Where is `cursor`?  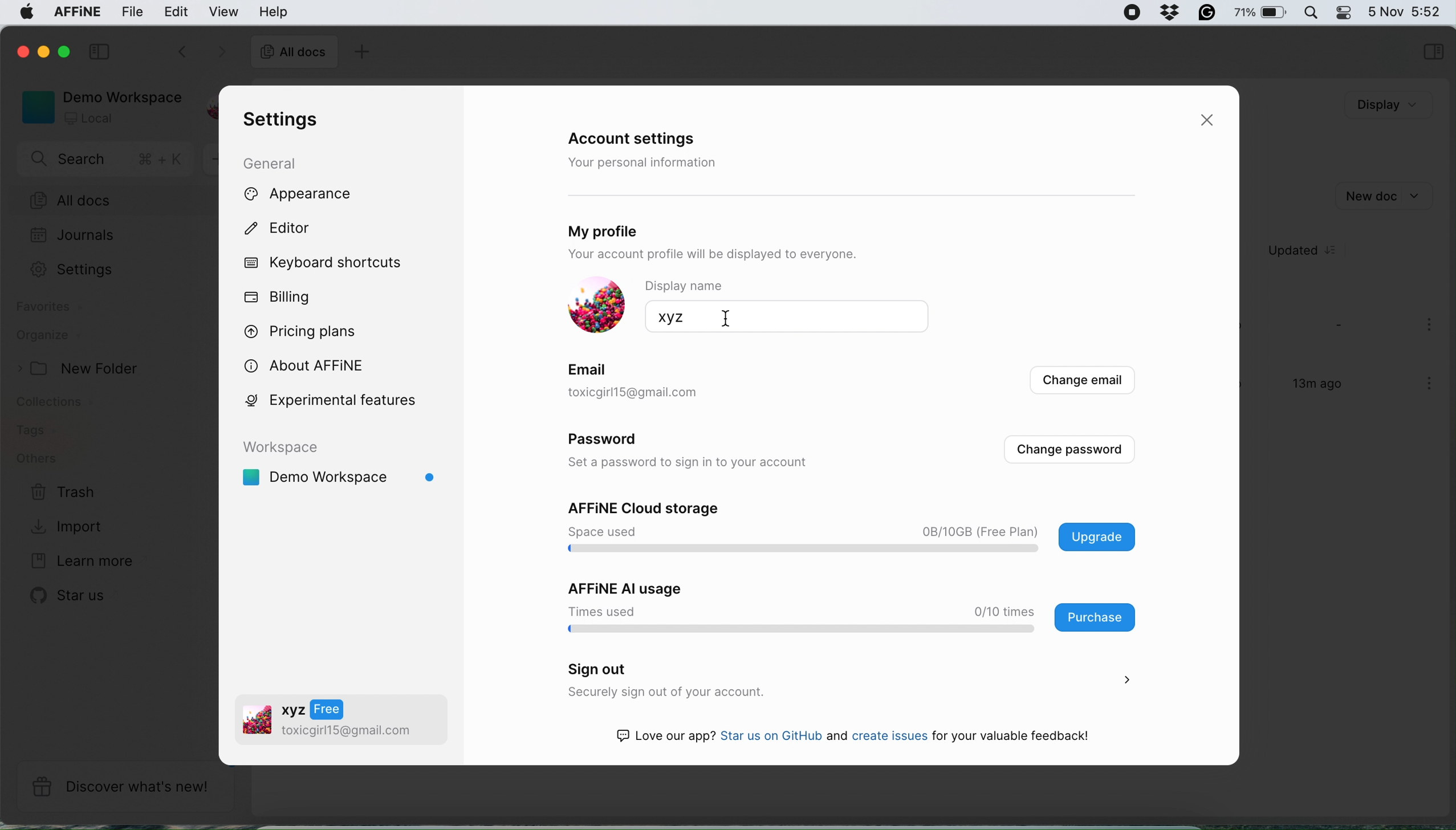
cursor is located at coordinates (723, 318).